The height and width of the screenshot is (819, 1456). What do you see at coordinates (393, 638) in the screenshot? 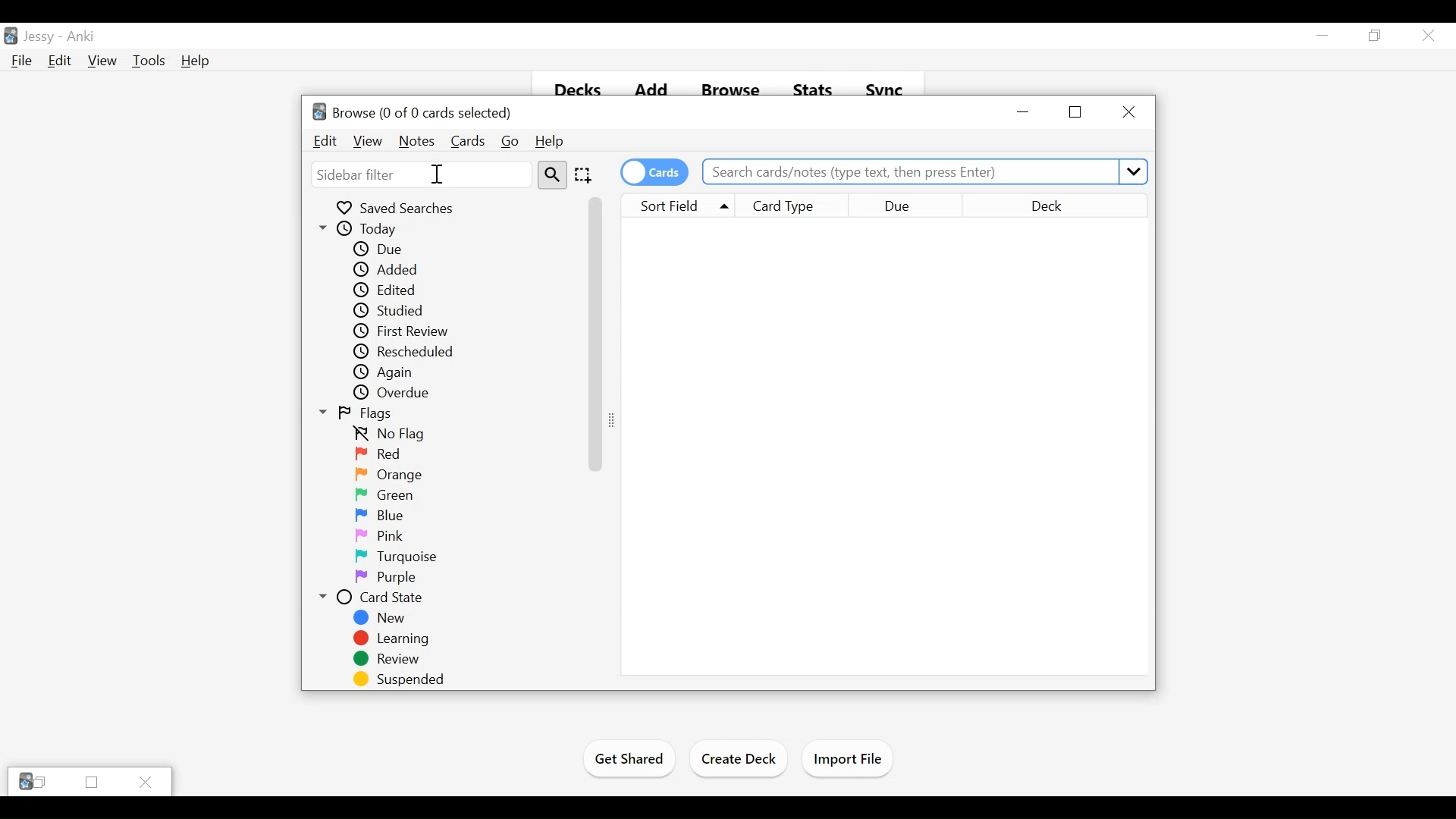
I see `Learning` at bounding box center [393, 638].